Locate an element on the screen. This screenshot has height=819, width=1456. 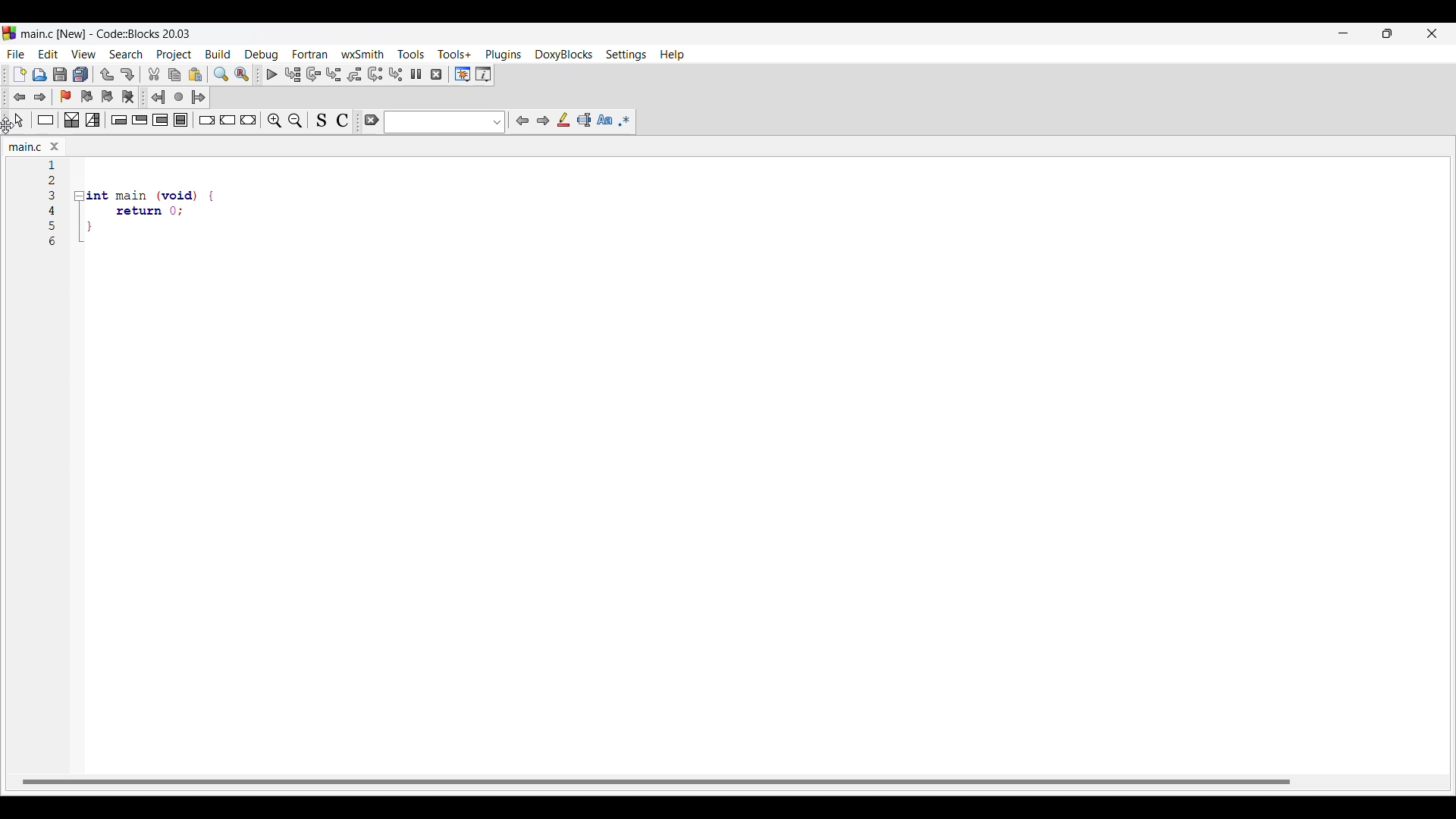
Redo is located at coordinates (127, 74).